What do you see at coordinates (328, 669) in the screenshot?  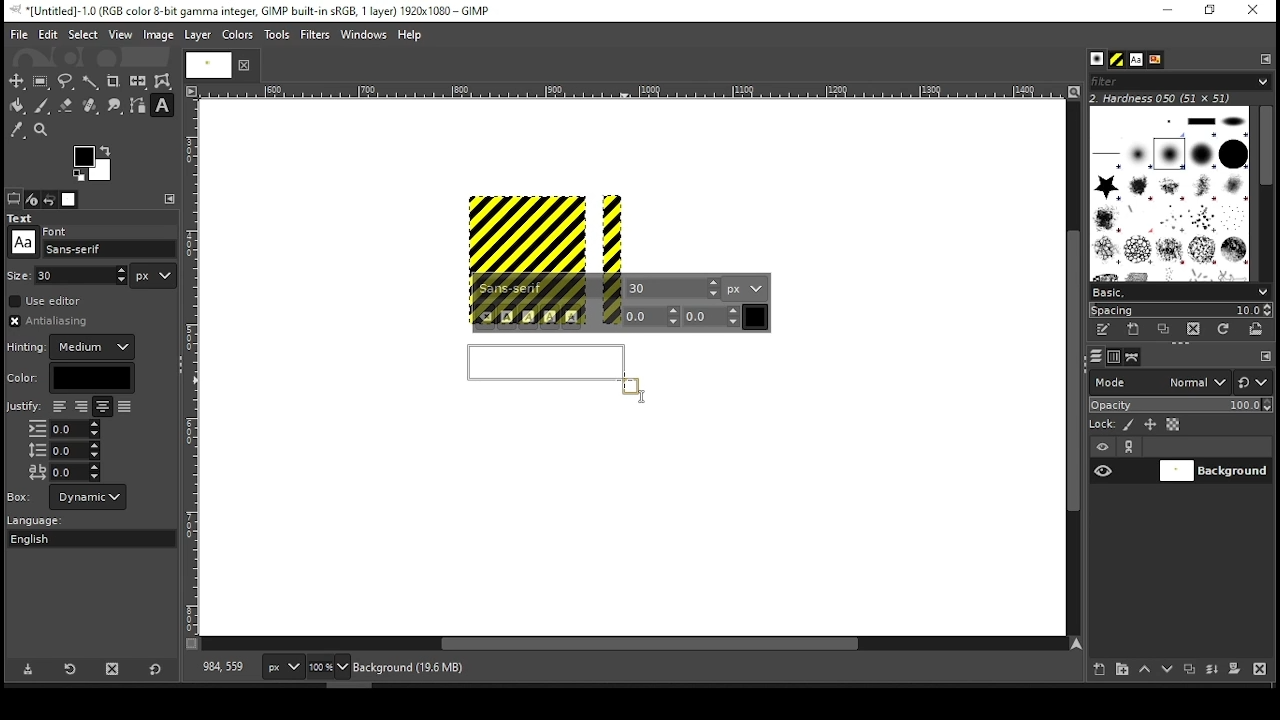 I see `zoom level` at bounding box center [328, 669].